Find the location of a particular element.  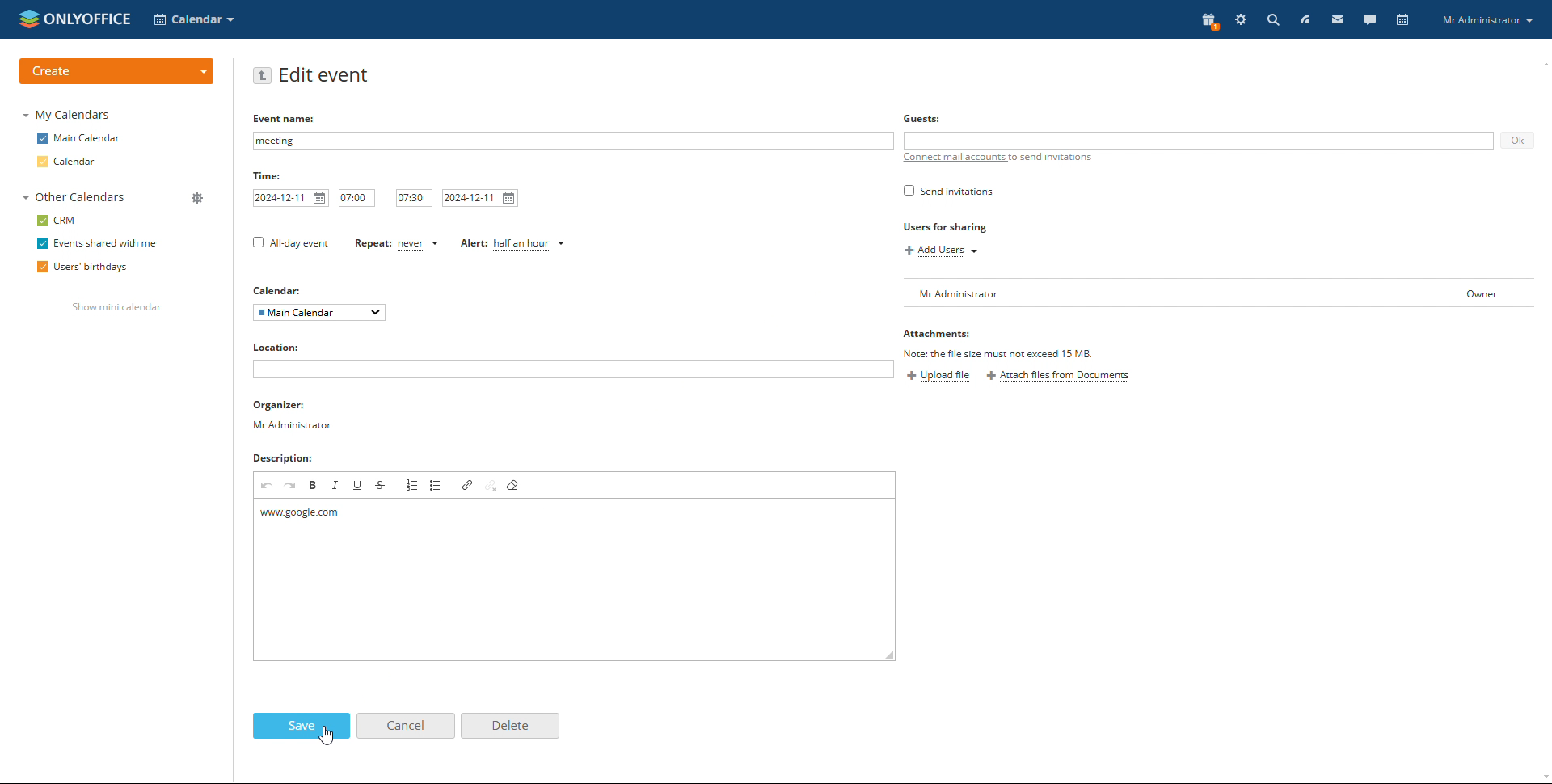

alert type is located at coordinates (530, 245).